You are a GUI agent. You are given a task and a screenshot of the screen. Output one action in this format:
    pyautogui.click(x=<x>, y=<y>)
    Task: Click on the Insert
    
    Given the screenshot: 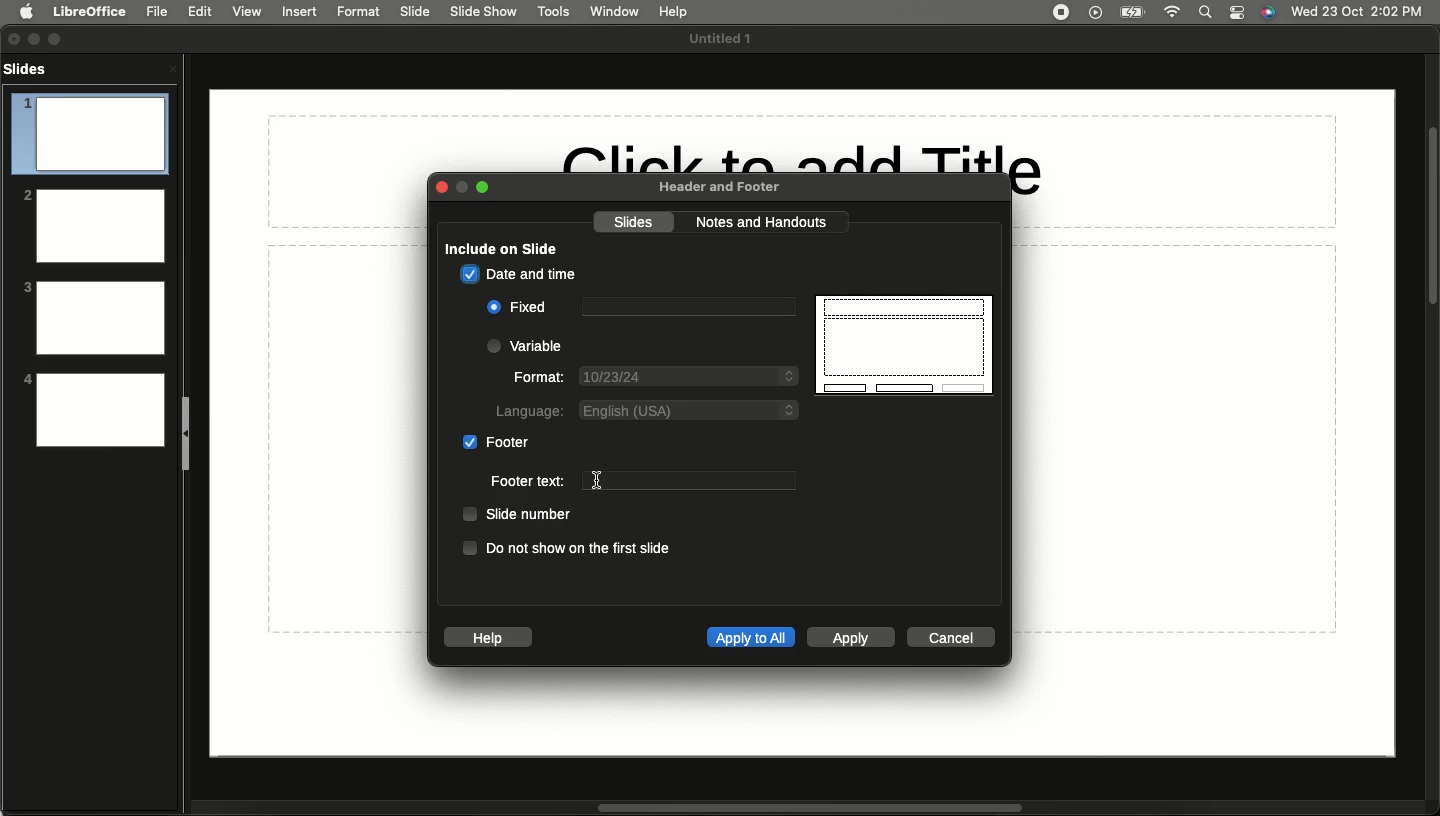 What is the action you would take?
    pyautogui.click(x=300, y=12)
    